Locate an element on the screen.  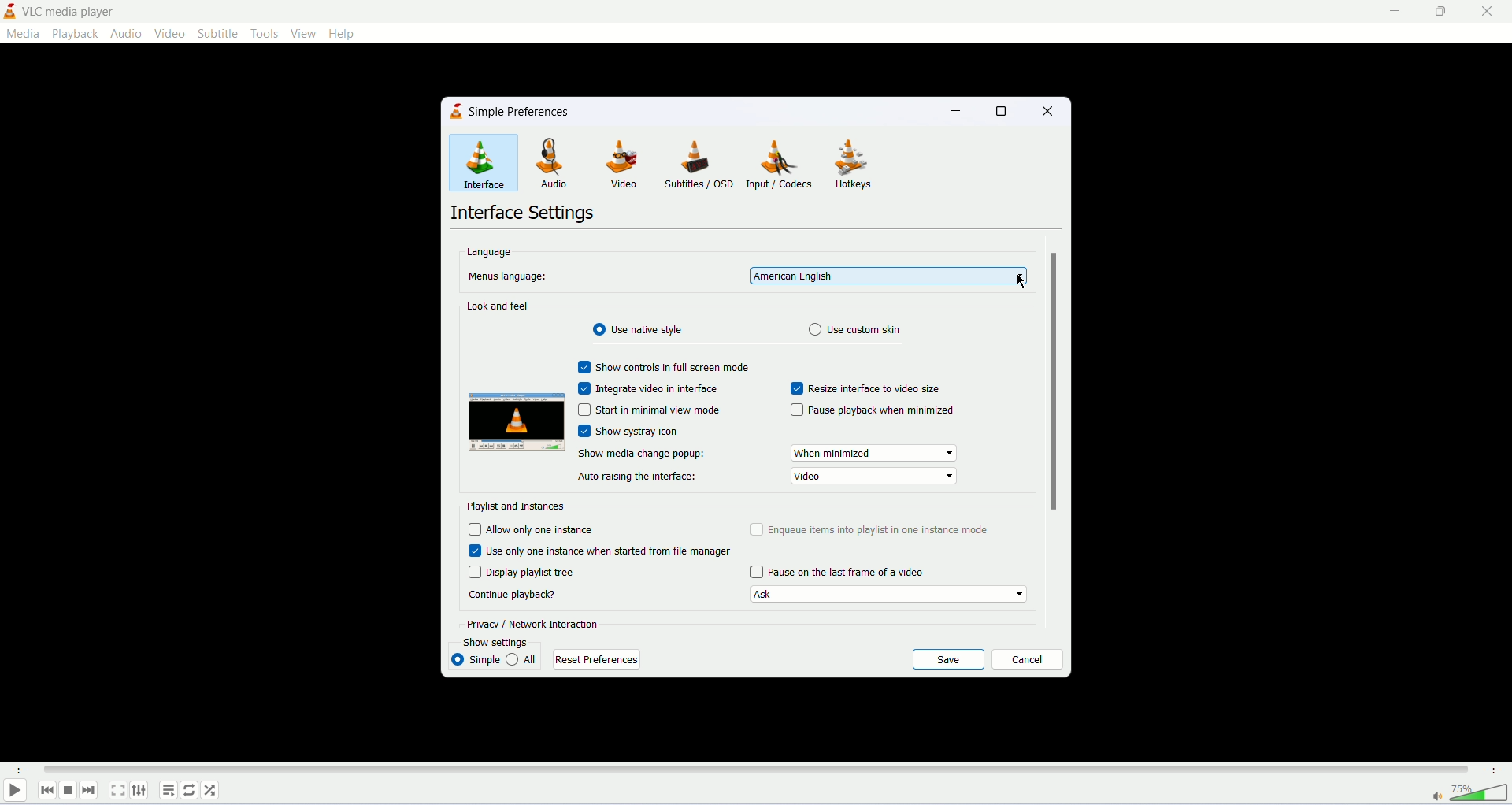
loop is located at coordinates (188, 790).